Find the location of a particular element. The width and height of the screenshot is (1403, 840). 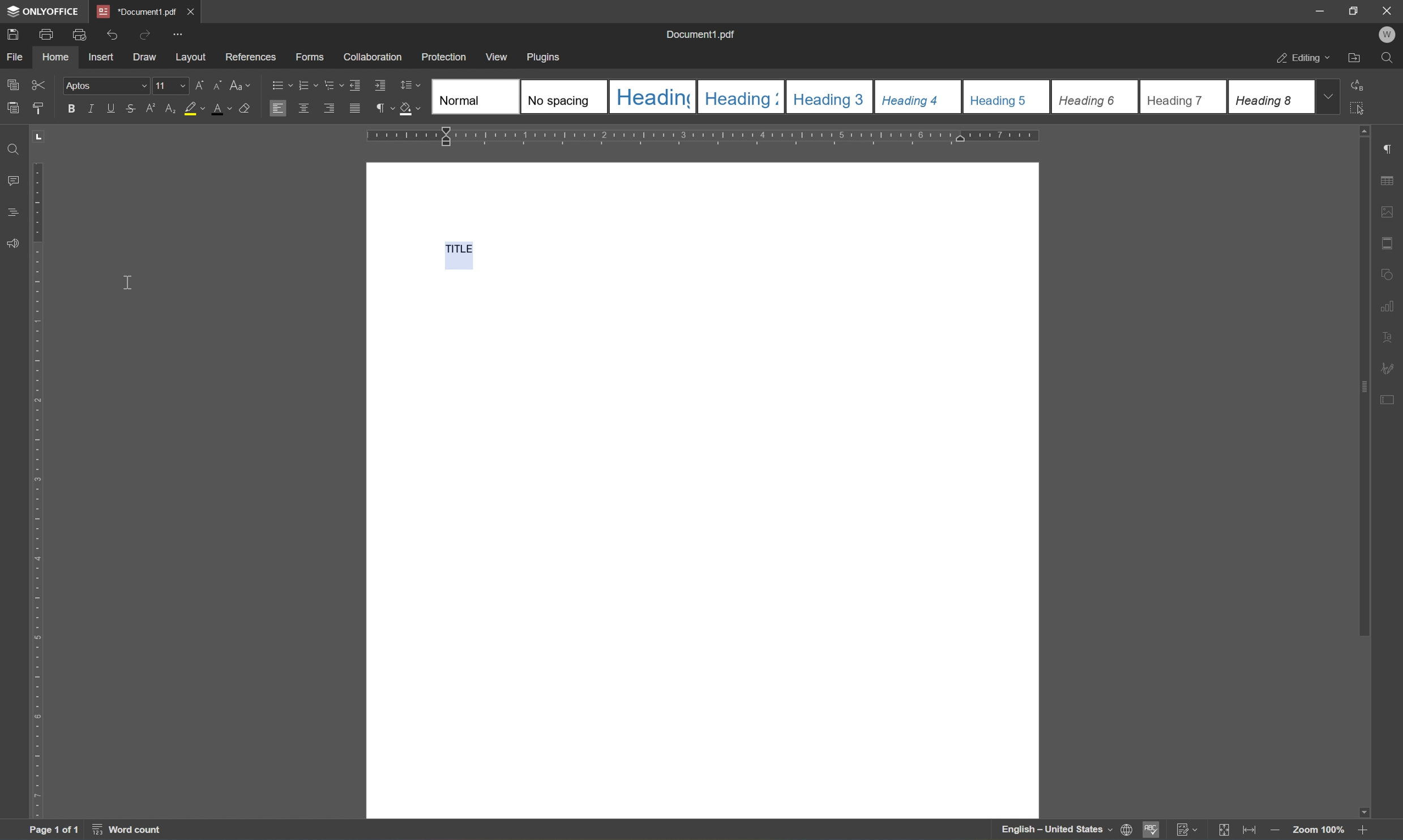

Decrease indent is located at coordinates (355, 84).